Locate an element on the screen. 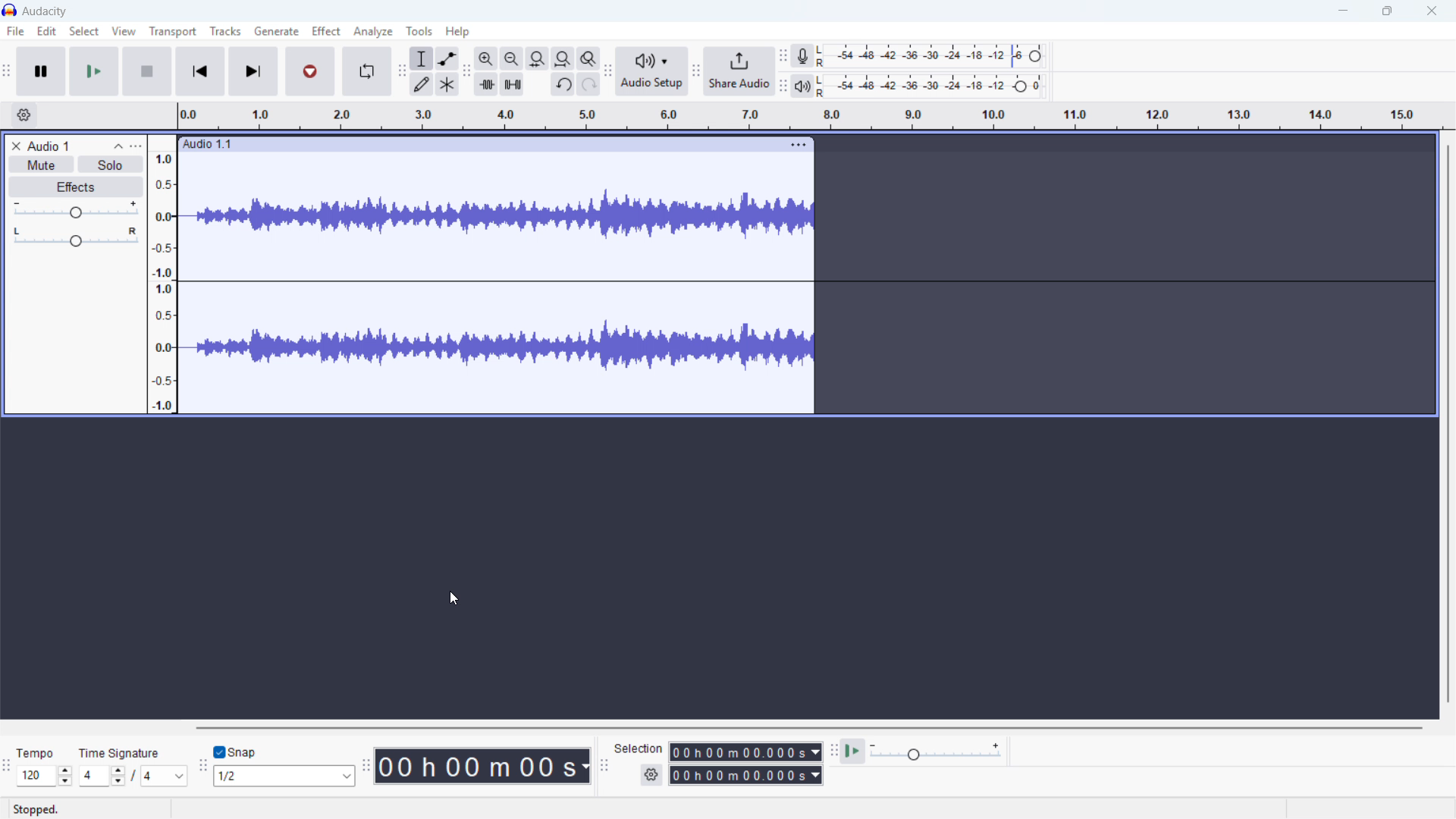 This screenshot has height=819, width=1456. Fit selection to width is located at coordinates (538, 58).